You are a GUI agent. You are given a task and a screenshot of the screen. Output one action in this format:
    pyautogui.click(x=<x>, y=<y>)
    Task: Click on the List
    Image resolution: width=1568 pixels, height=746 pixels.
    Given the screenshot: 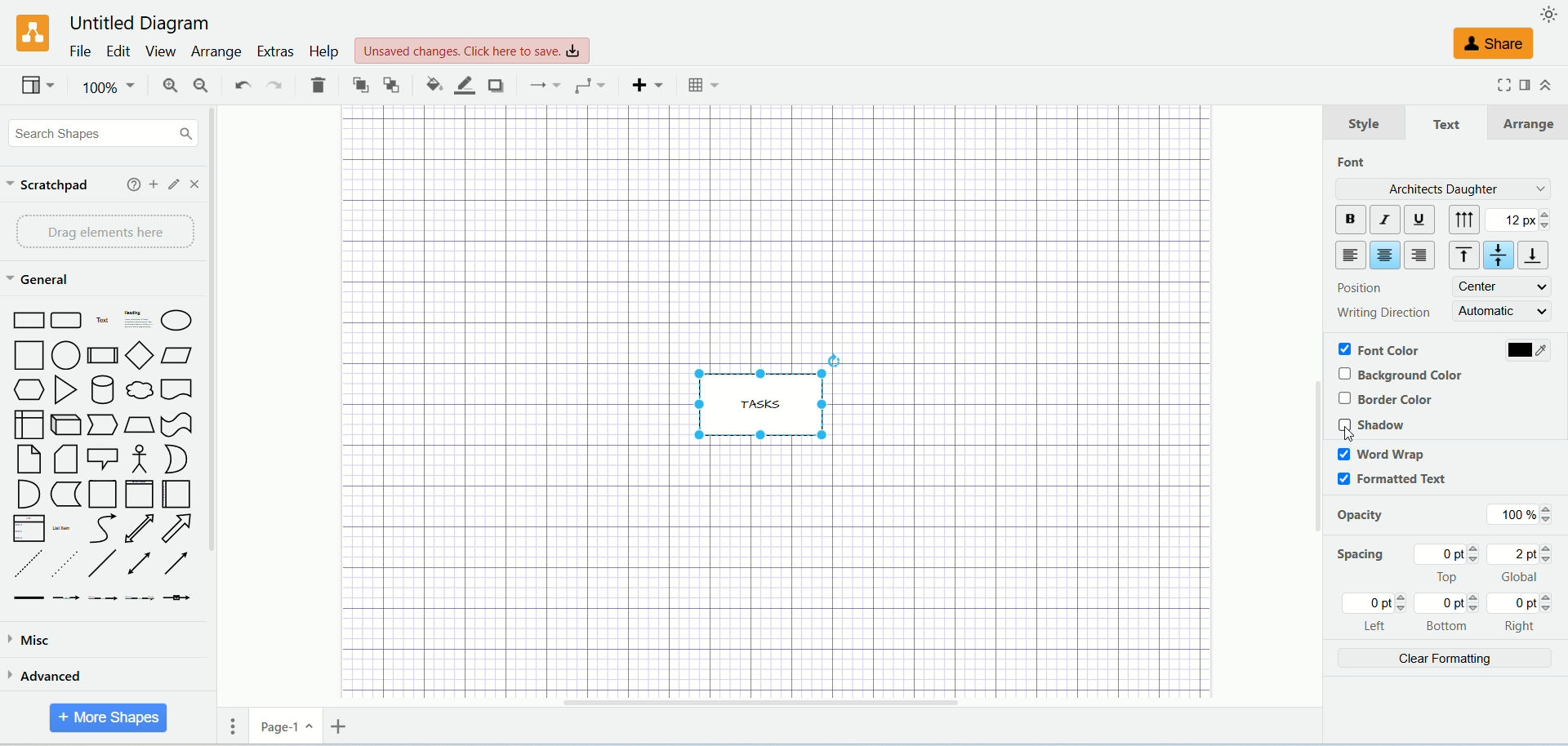 What is the action you would take?
    pyautogui.click(x=29, y=528)
    